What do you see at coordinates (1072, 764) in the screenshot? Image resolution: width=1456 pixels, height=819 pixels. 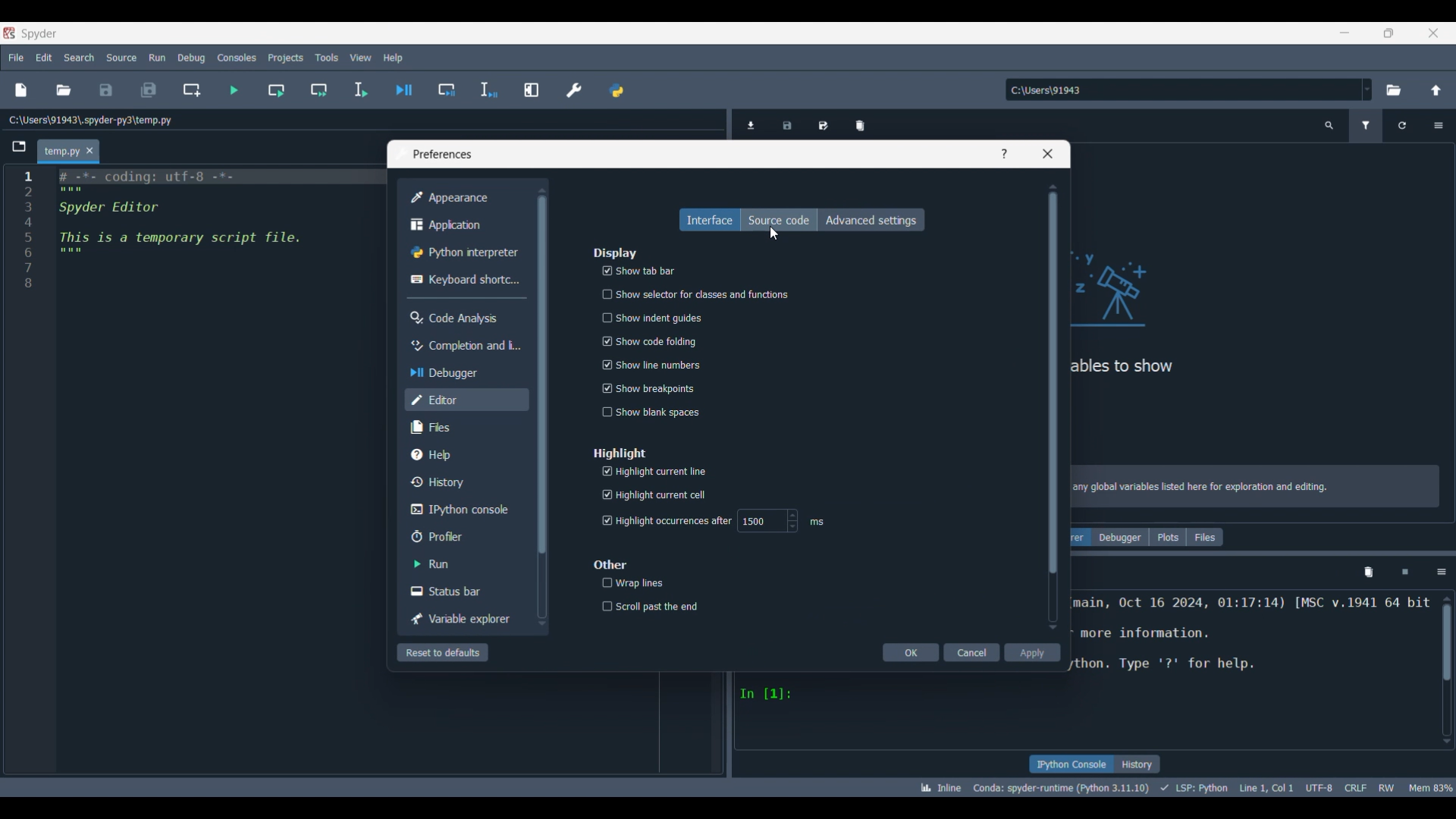 I see `IPython console` at bounding box center [1072, 764].